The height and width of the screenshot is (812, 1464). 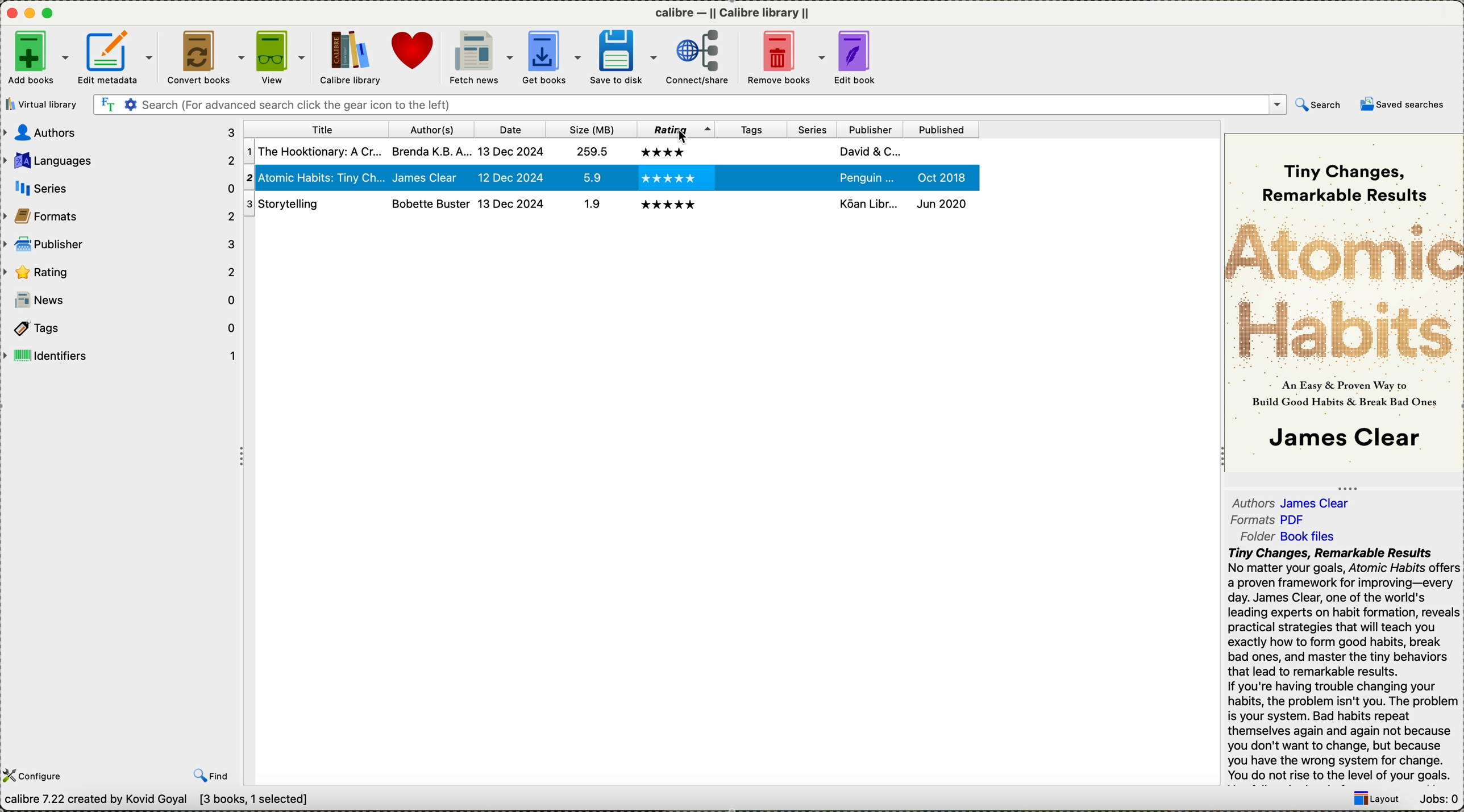 I want to click on fetch news, so click(x=479, y=57).